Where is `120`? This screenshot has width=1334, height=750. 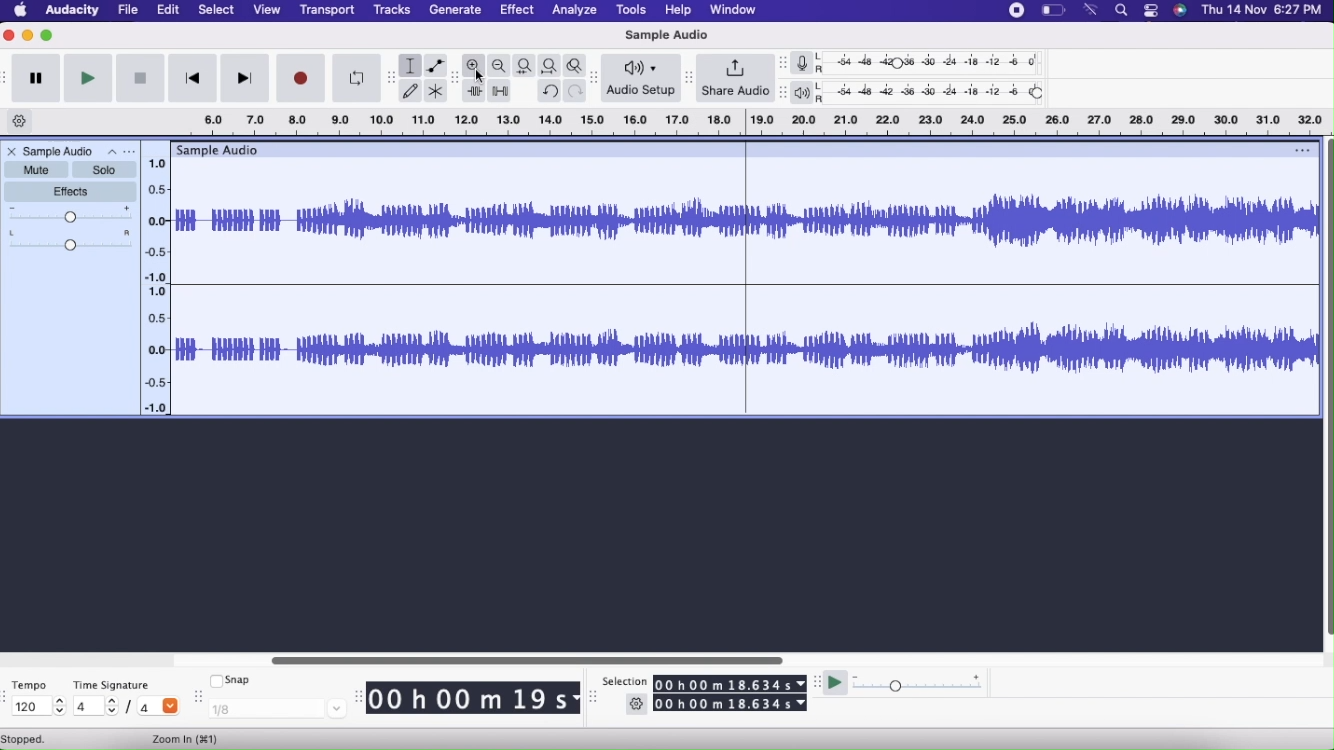 120 is located at coordinates (36, 707).